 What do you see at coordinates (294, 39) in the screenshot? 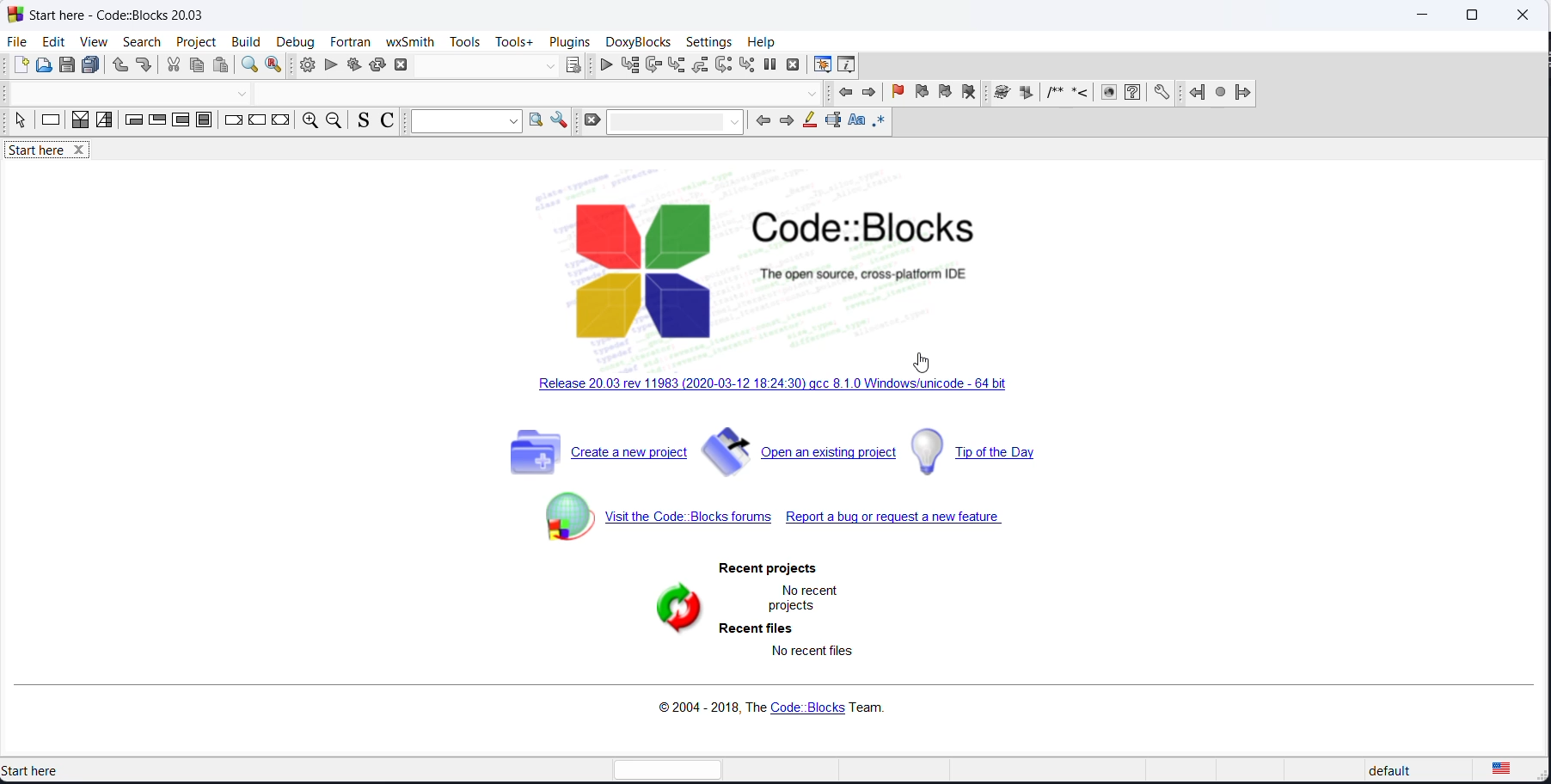
I see `debug` at bounding box center [294, 39].